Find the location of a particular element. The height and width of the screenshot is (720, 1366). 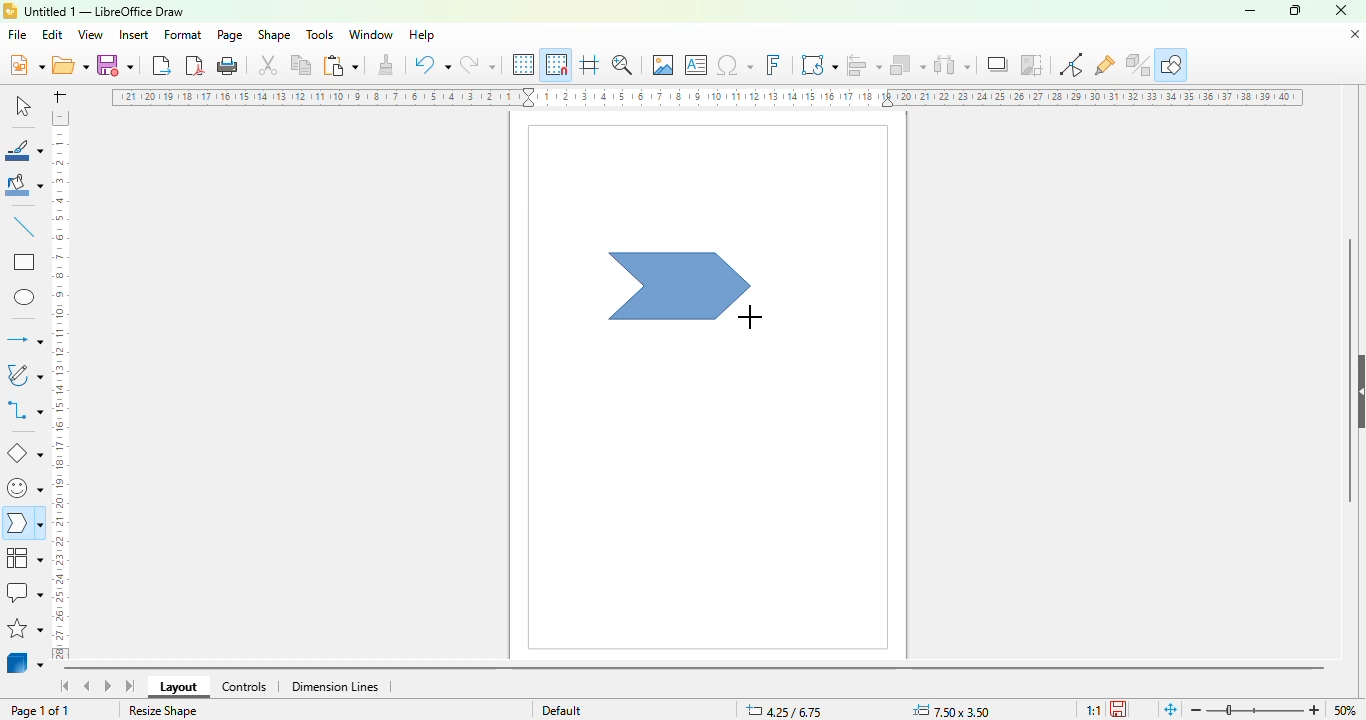

lines and arrows is located at coordinates (24, 339).